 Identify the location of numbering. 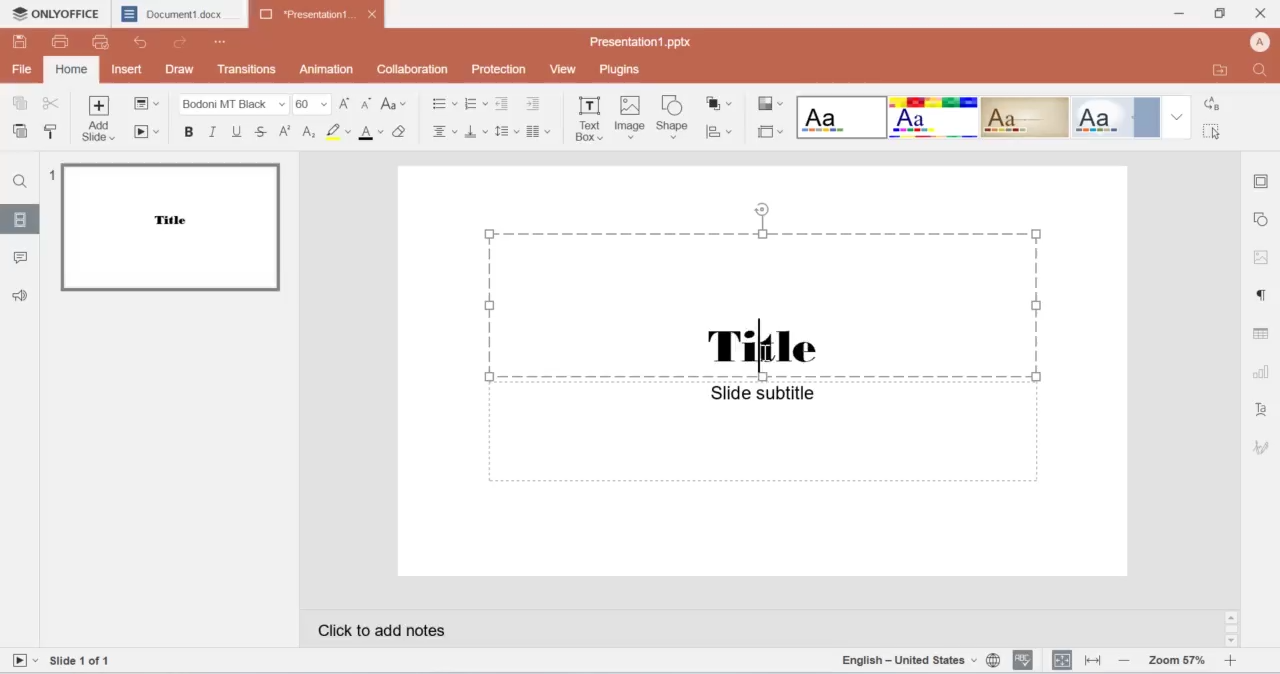
(51, 176).